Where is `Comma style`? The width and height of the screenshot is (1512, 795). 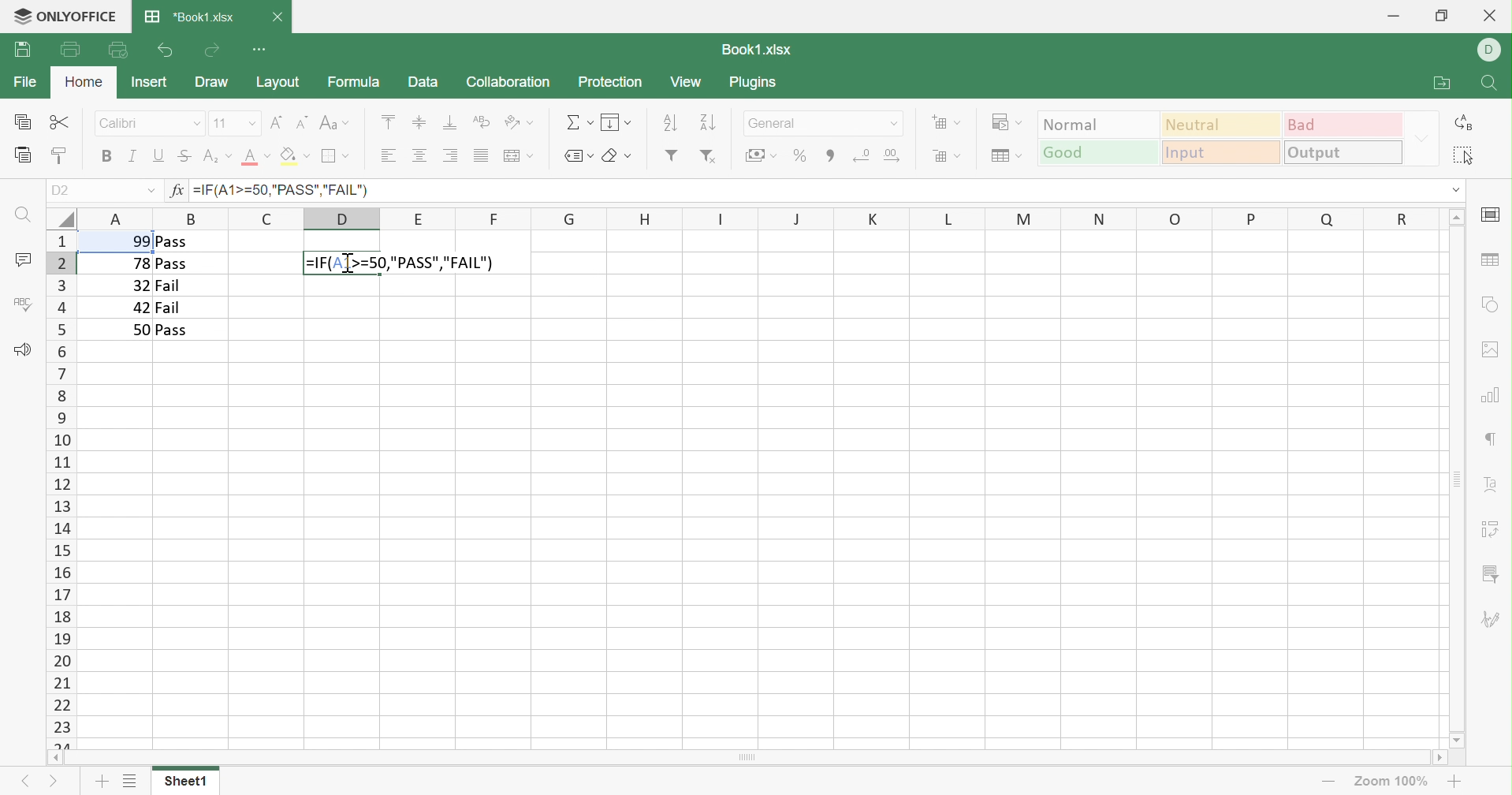
Comma style is located at coordinates (831, 154).